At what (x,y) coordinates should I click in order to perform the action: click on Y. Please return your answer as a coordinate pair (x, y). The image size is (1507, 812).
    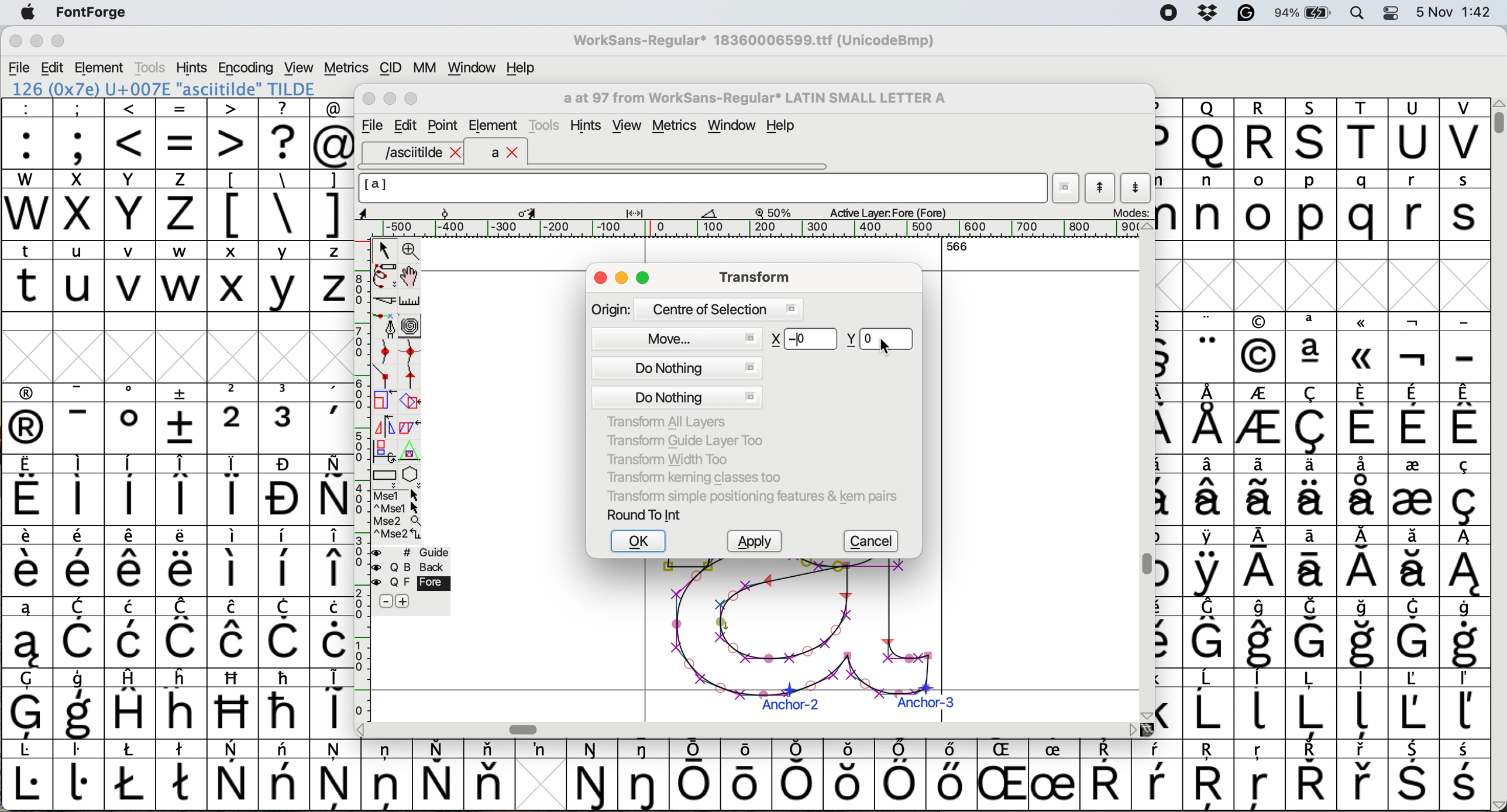
    Looking at the image, I should click on (132, 205).